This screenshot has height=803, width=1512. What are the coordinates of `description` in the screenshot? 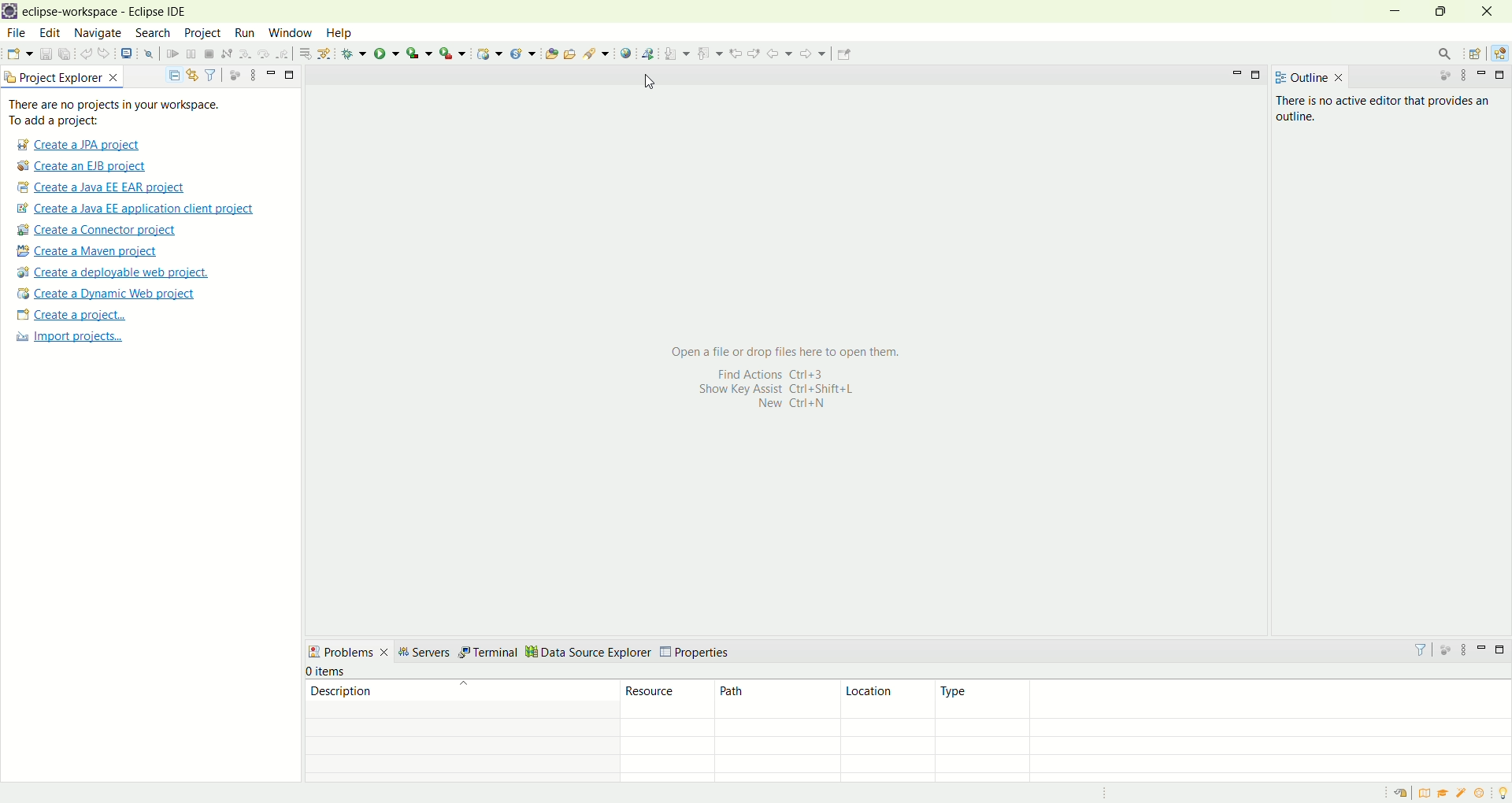 It's located at (459, 698).